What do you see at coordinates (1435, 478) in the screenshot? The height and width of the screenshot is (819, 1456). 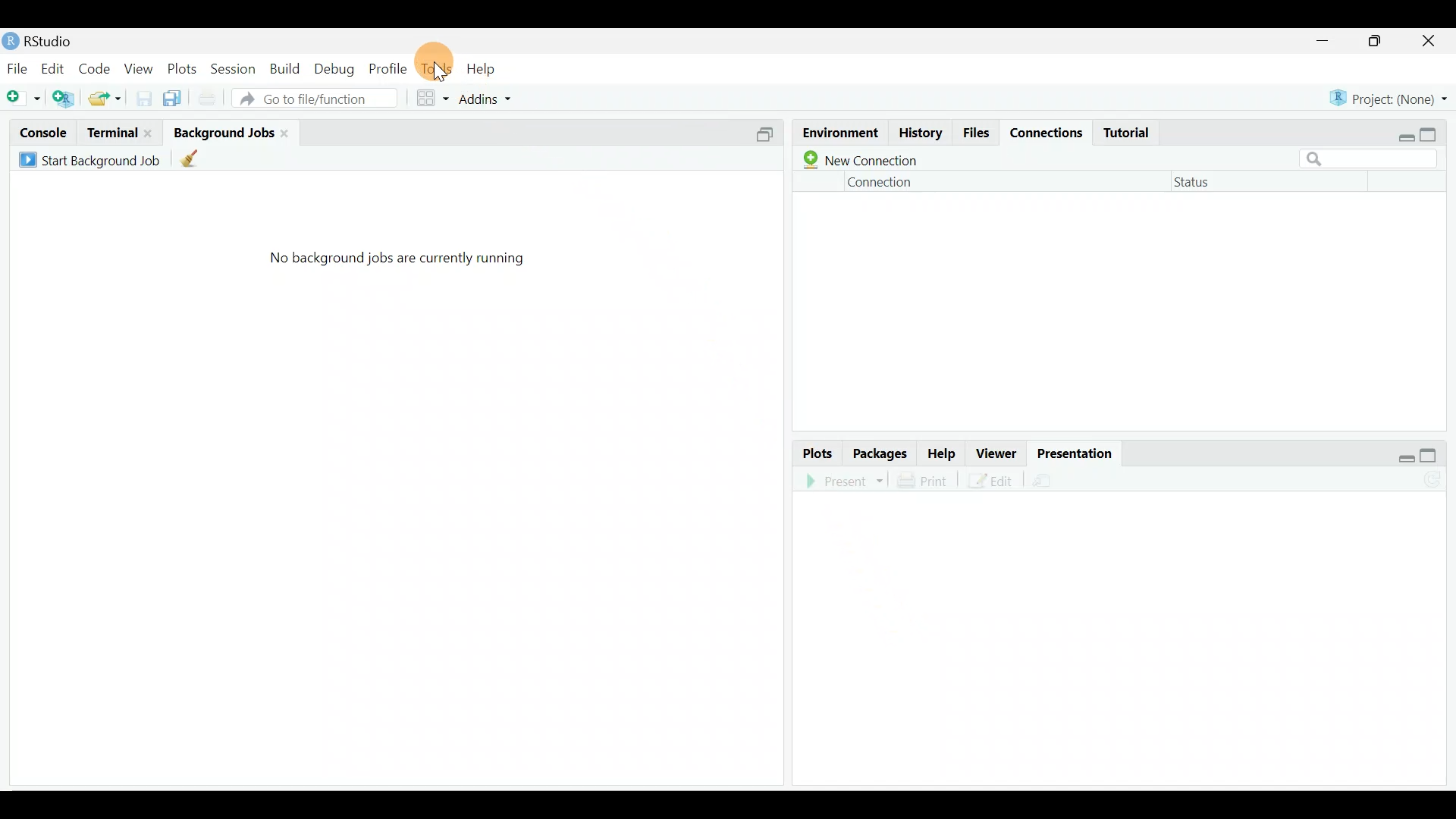 I see `Refresh the presentation view` at bounding box center [1435, 478].